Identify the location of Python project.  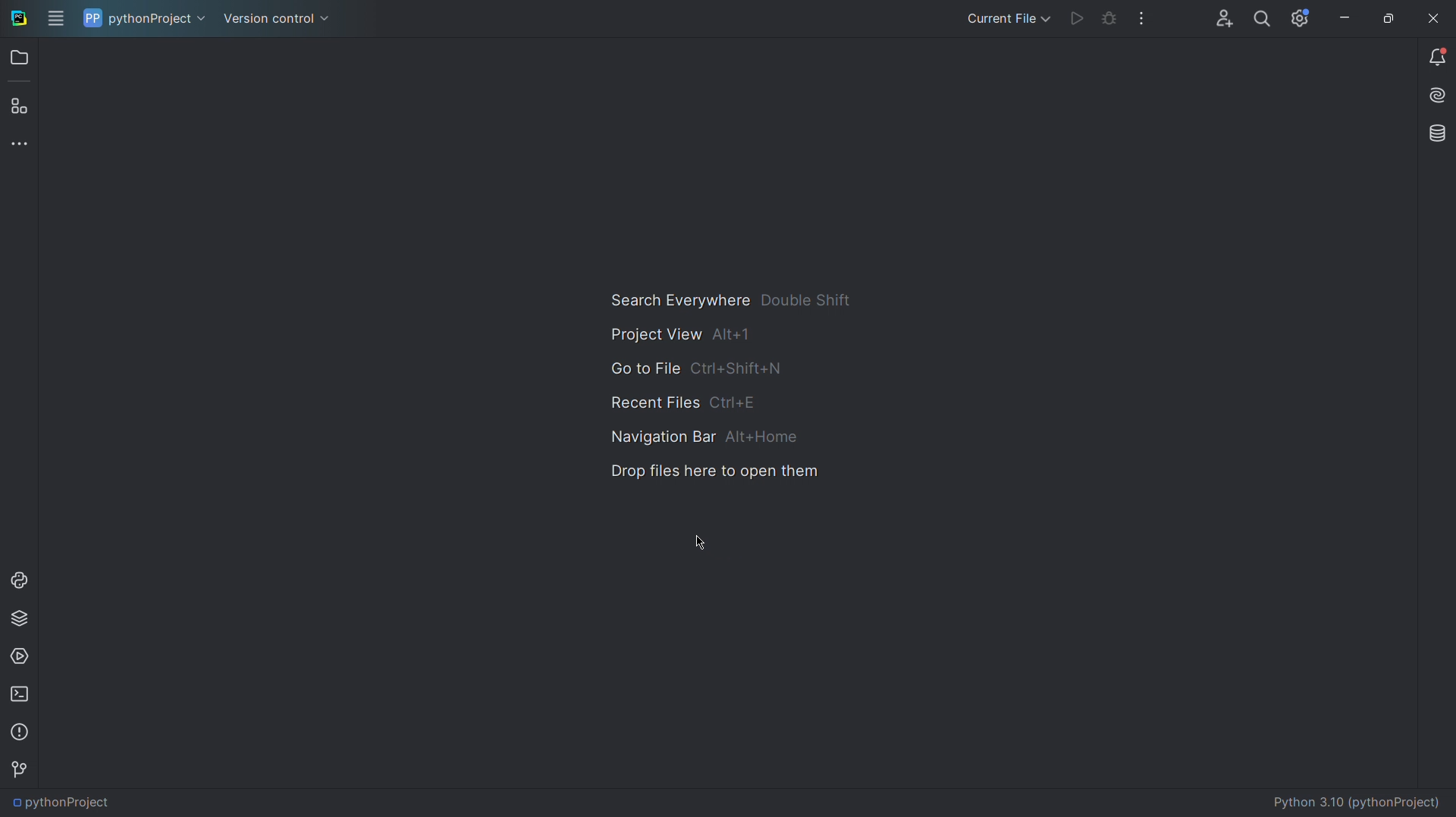
(143, 19).